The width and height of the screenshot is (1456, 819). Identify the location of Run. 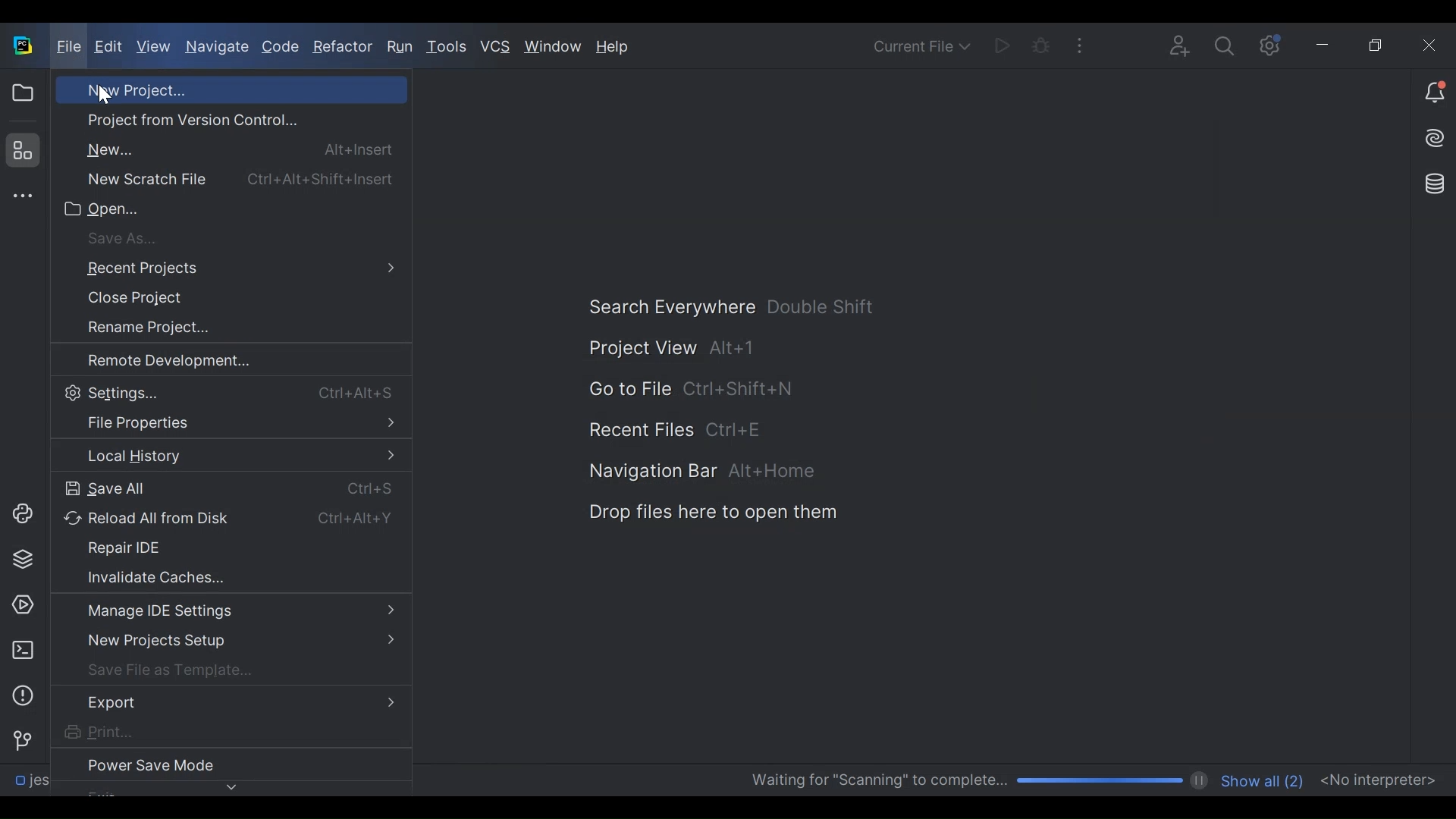
(400, 47).